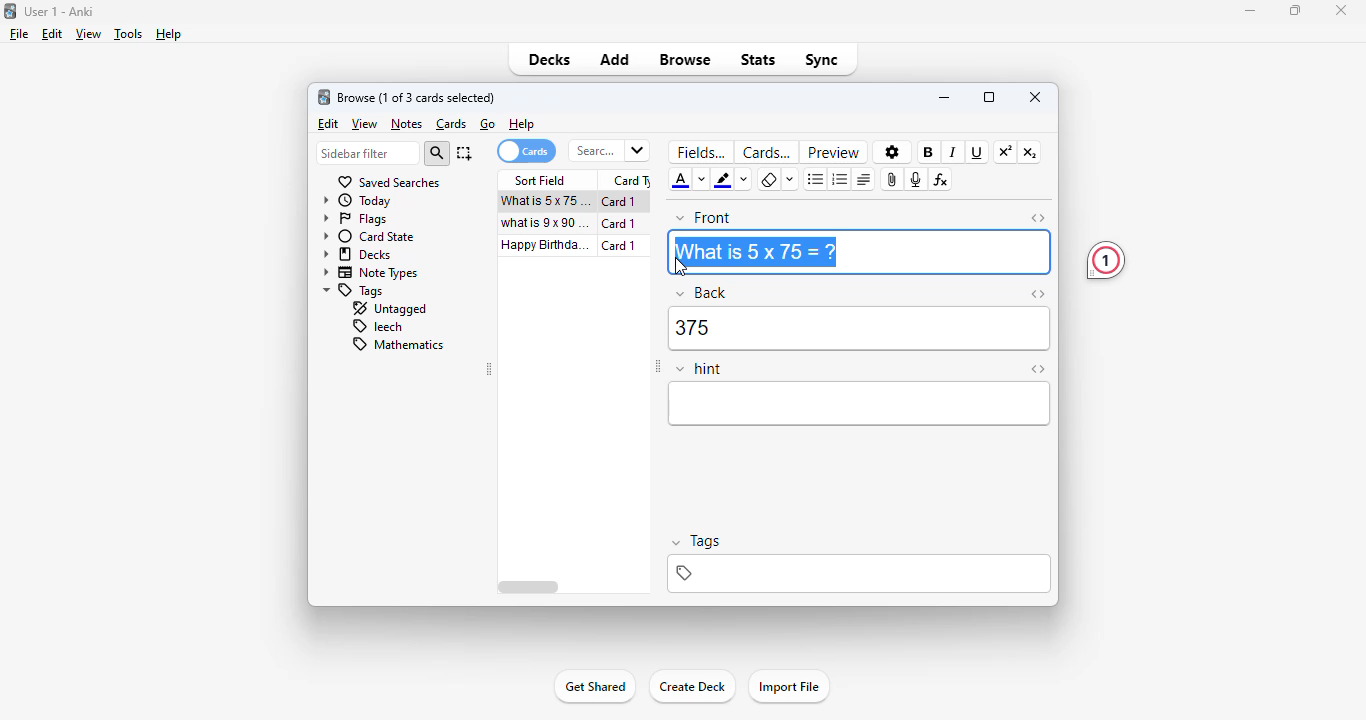 The height and width of the screenshot is (720, 1366). Describe the element at coordinates (400, 345) in the screenshot. I see `mathematics` at that location.